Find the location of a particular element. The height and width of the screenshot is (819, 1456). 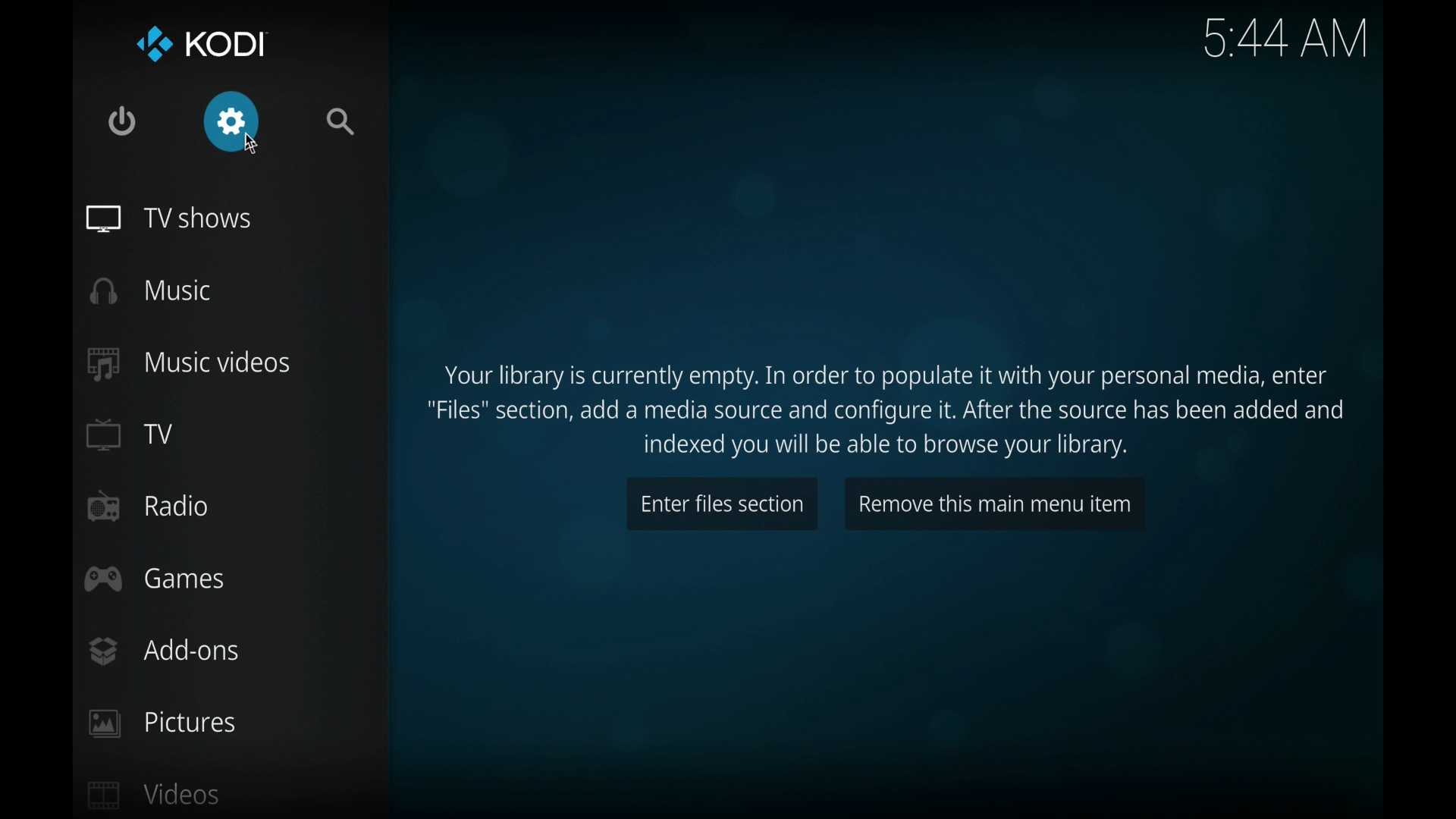

add-ons is located at coordinates (163, 651).